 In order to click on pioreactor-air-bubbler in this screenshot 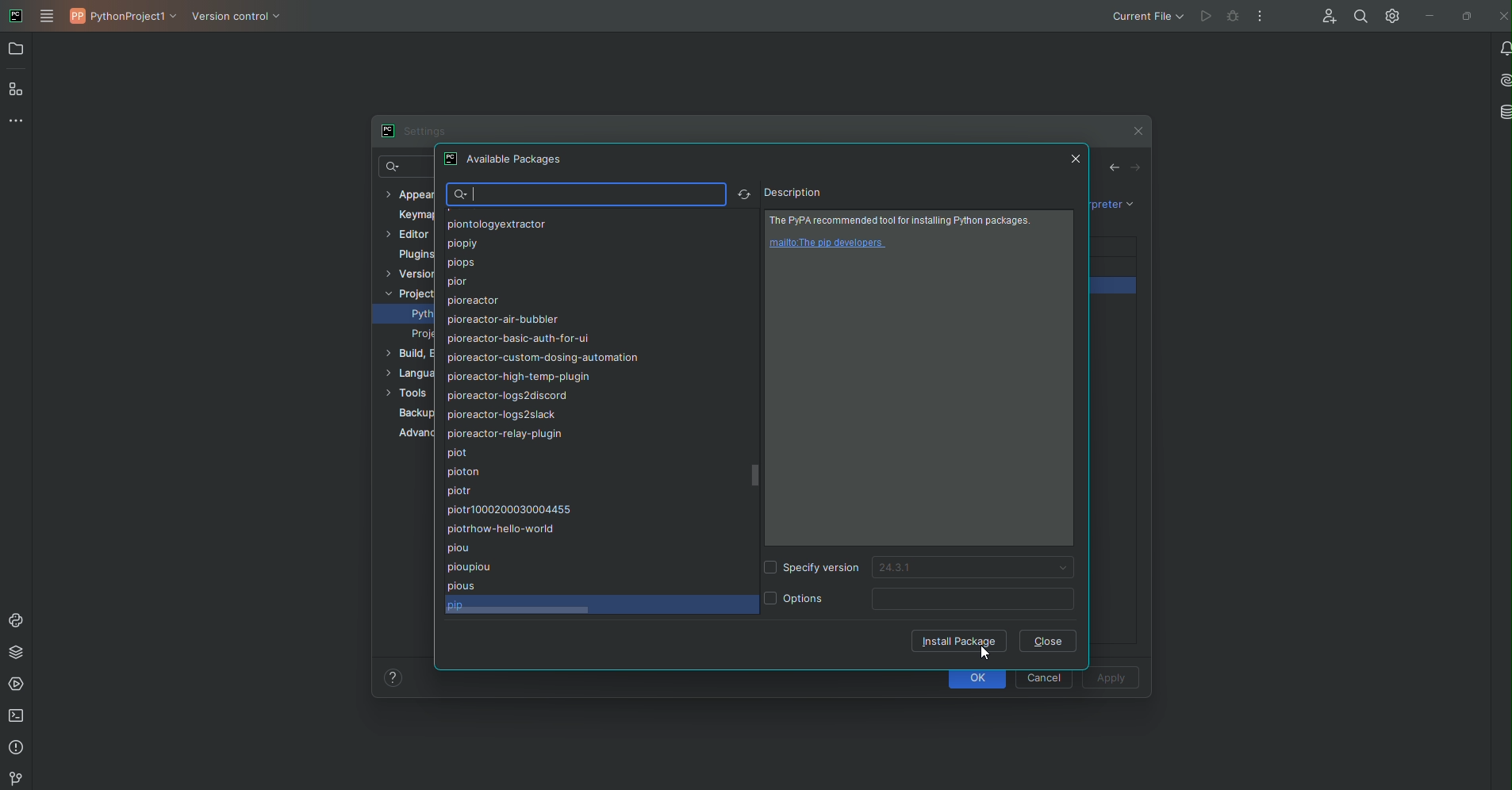, I will do `click(502, 320)`.